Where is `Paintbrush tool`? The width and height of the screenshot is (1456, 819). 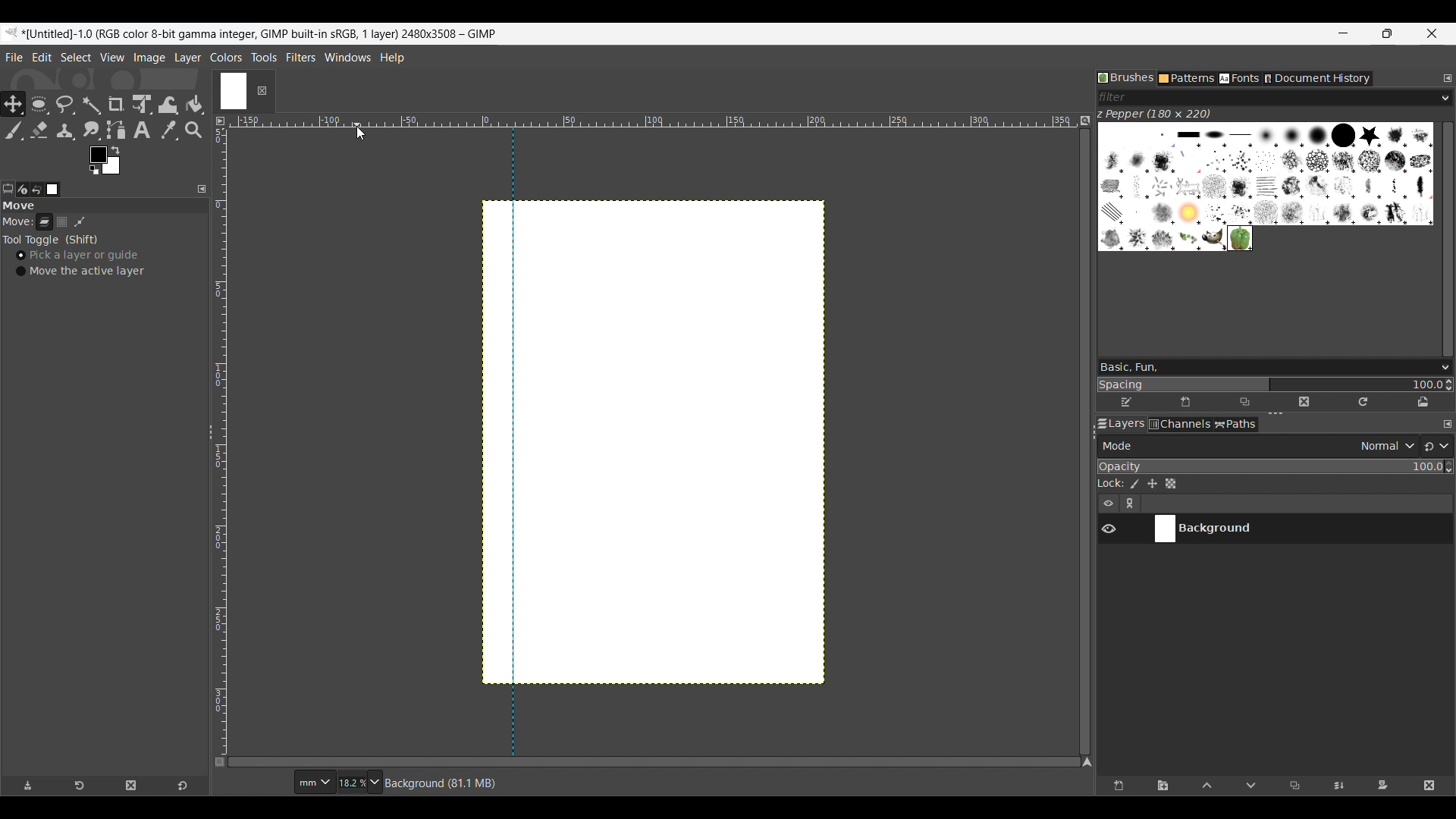
Paintbrush tool is located at coordinates (11, 130).